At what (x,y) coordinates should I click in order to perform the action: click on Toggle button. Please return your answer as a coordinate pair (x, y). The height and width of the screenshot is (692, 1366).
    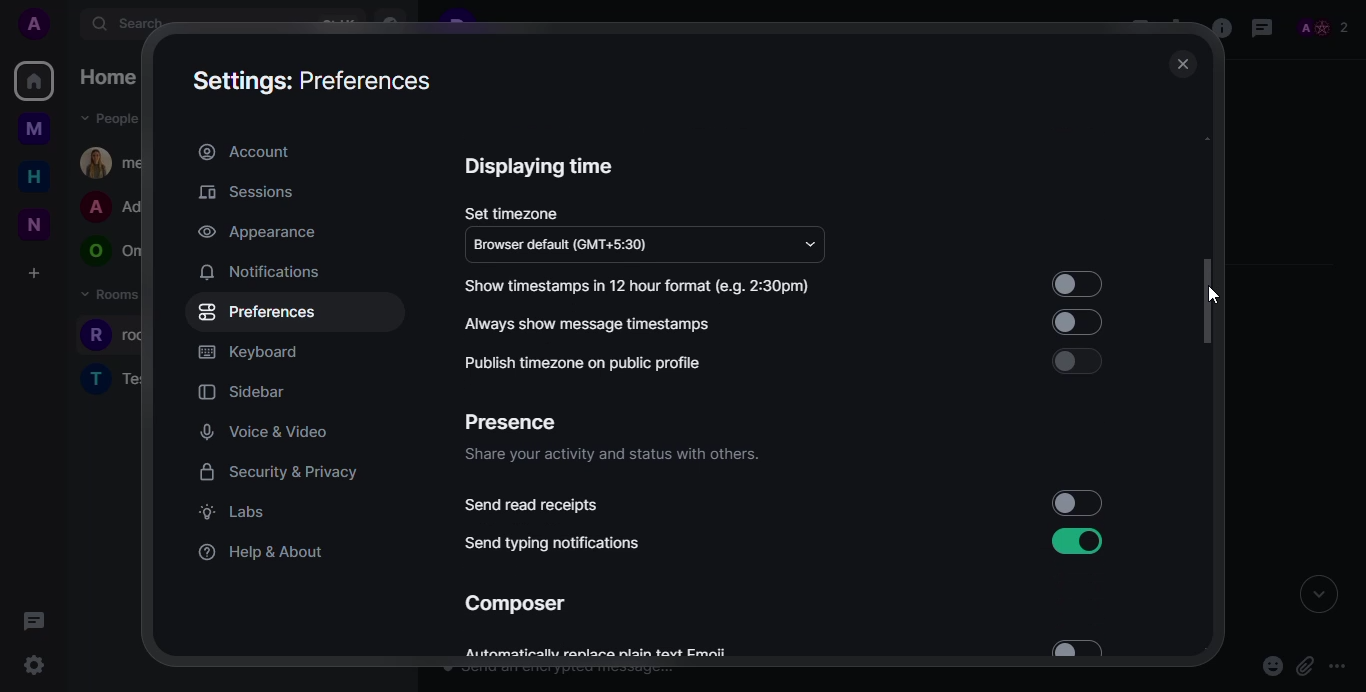
    Looking at the image, I should click on (1076, 502).